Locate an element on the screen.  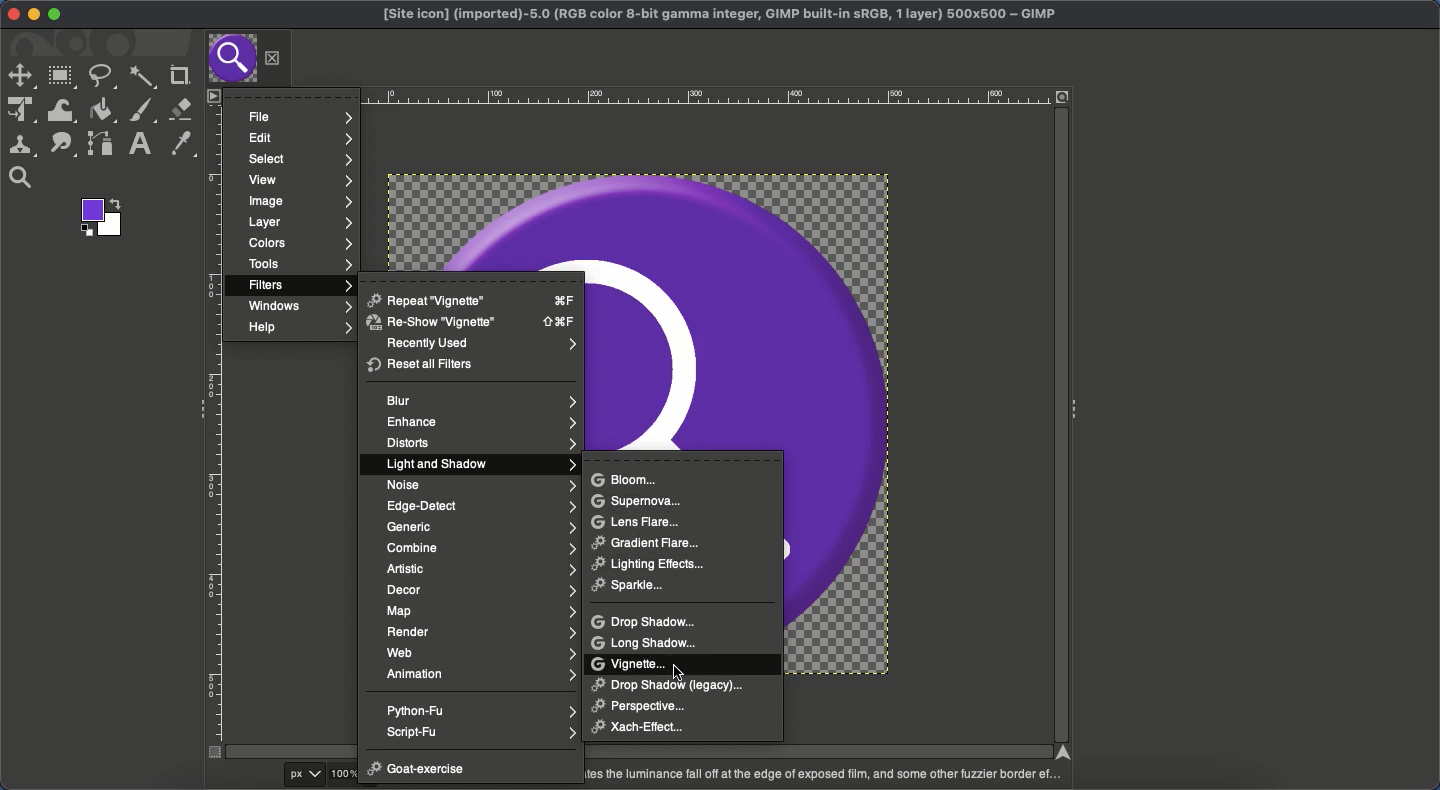
Filters is located at coordinates (297, 285).